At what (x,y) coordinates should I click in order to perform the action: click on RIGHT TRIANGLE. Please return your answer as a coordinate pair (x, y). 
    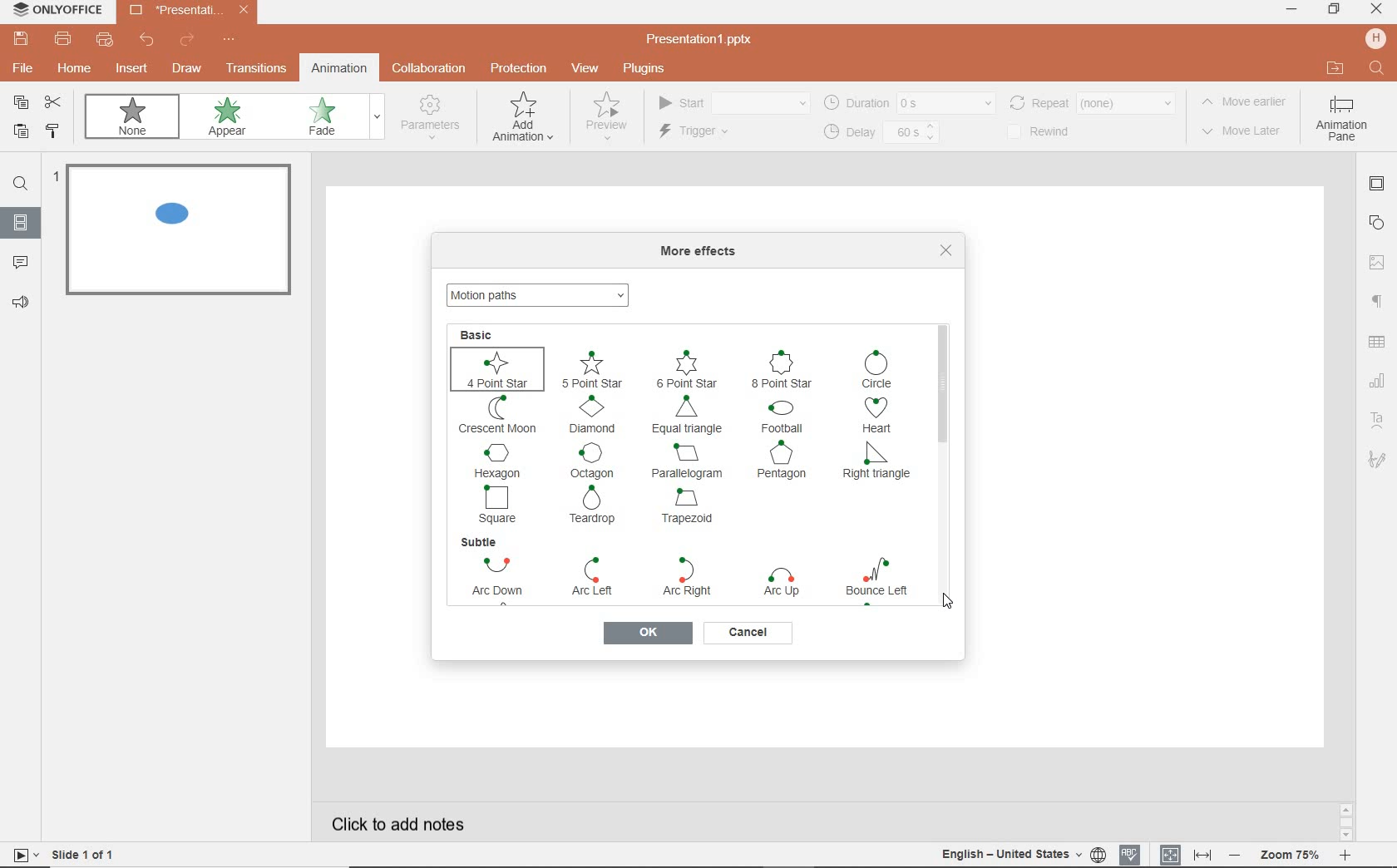
    Looking at the image, I should click on (876, 465).